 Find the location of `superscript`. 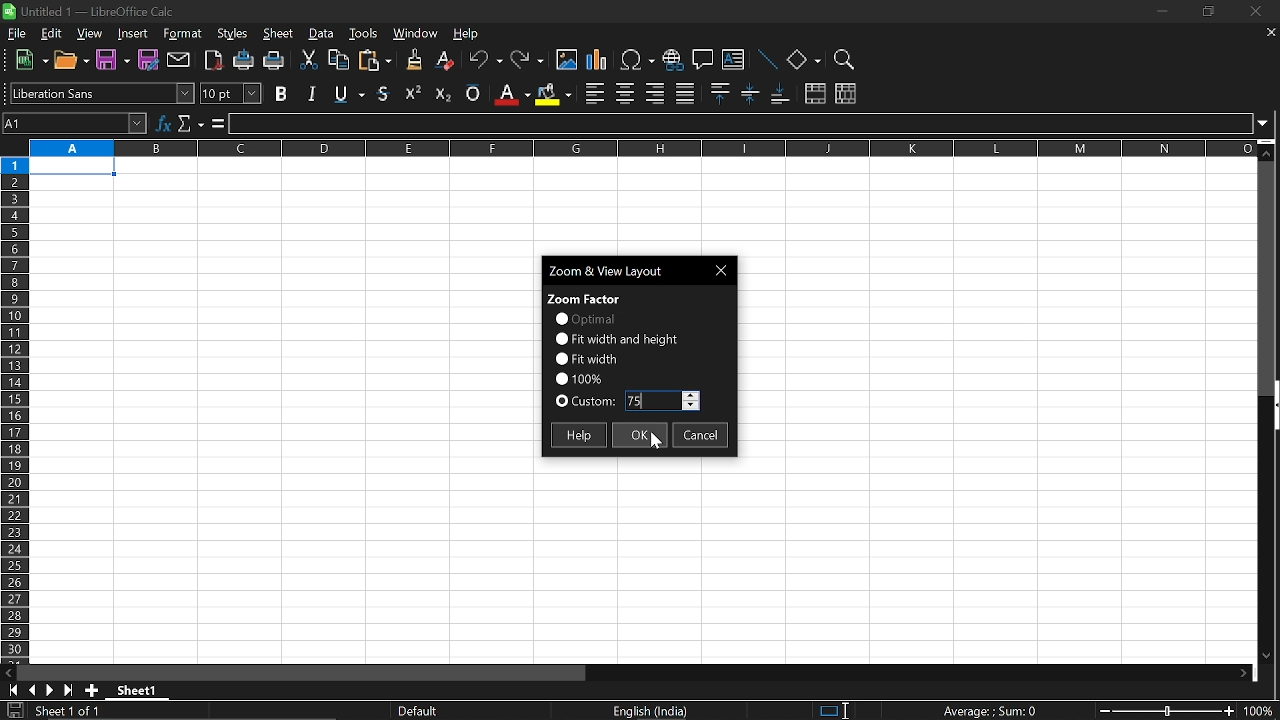

superscript is located at coordinates (414, 92).